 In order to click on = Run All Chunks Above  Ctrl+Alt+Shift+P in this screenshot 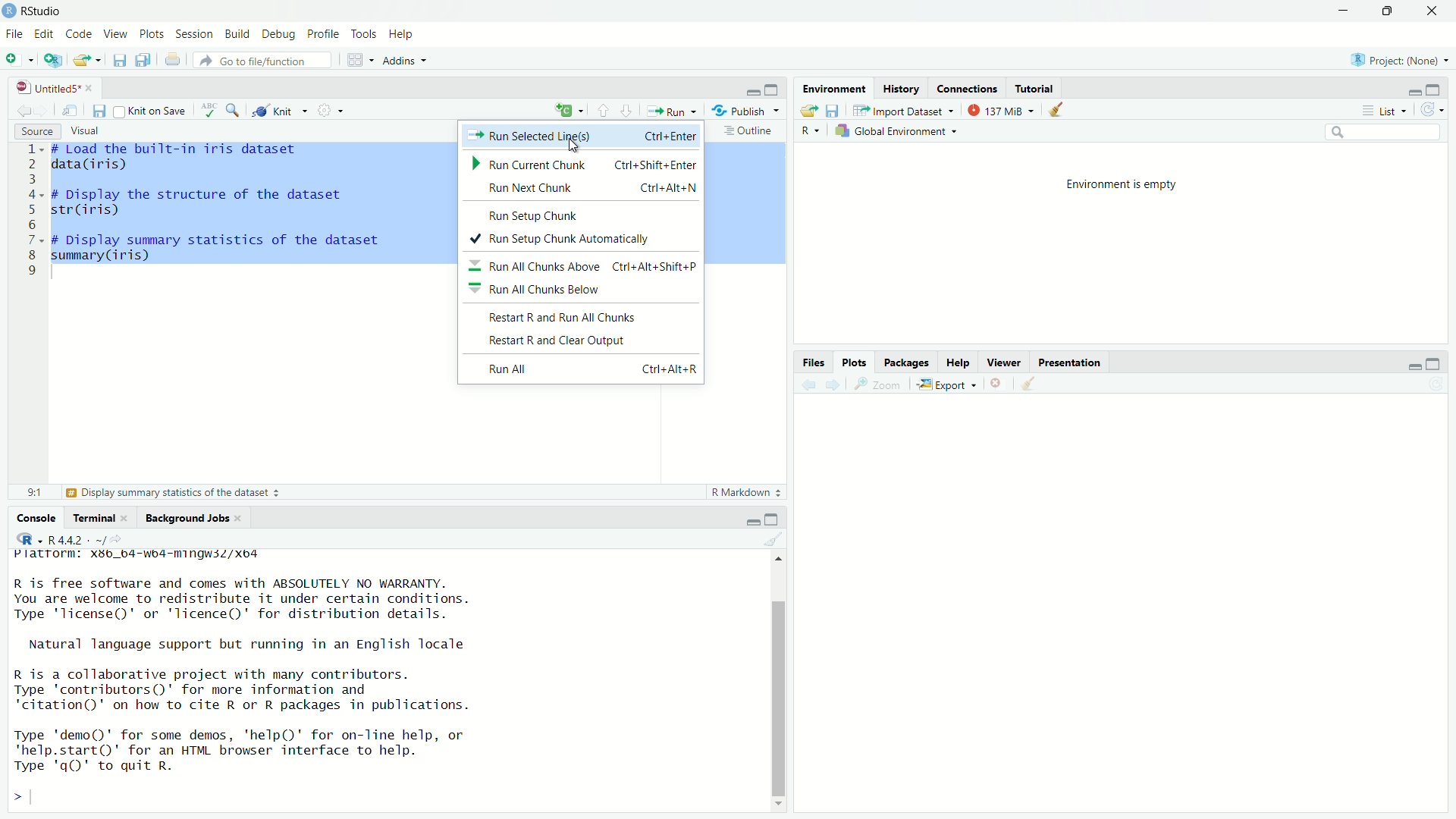, I will do `click(582, 267)`.